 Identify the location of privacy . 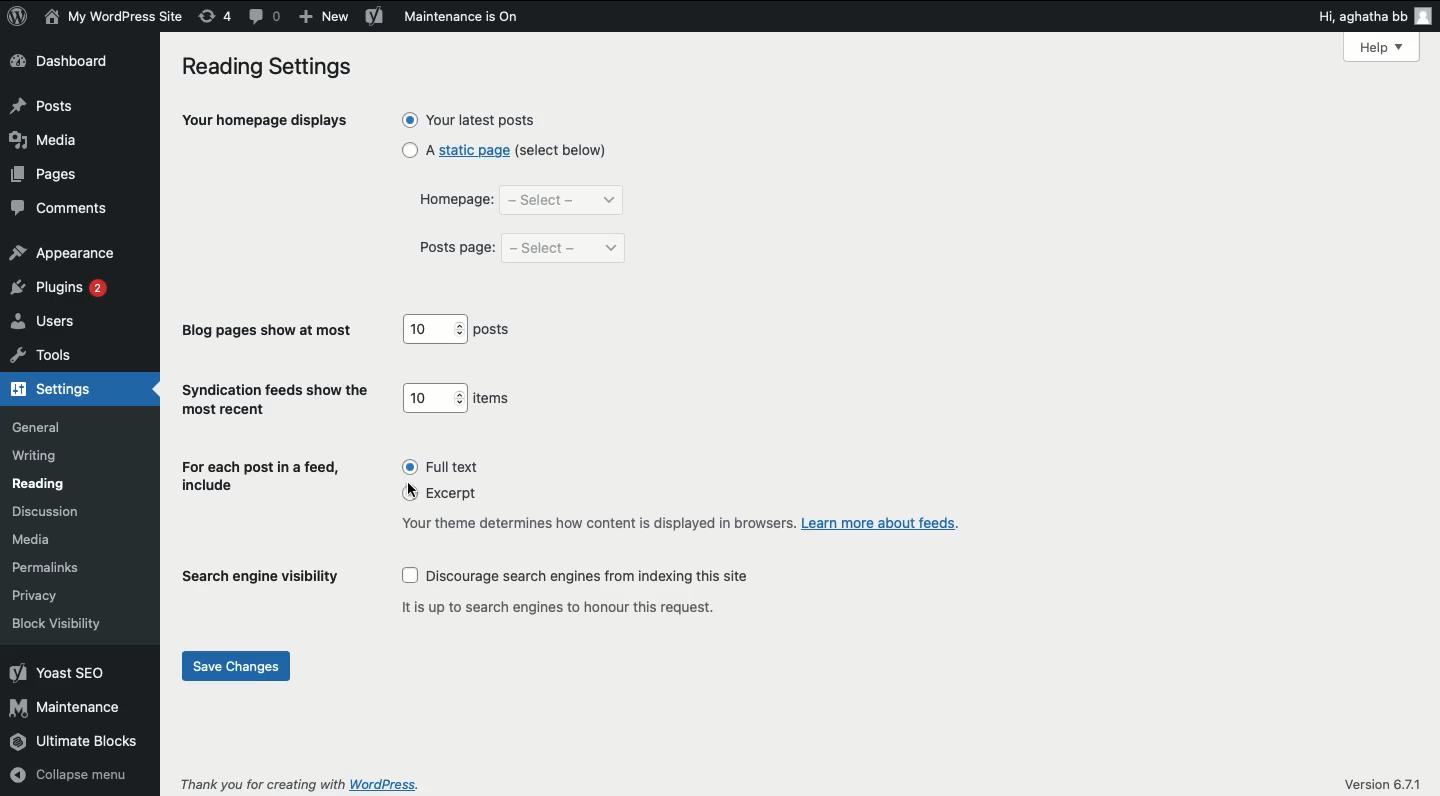
(34, 595).